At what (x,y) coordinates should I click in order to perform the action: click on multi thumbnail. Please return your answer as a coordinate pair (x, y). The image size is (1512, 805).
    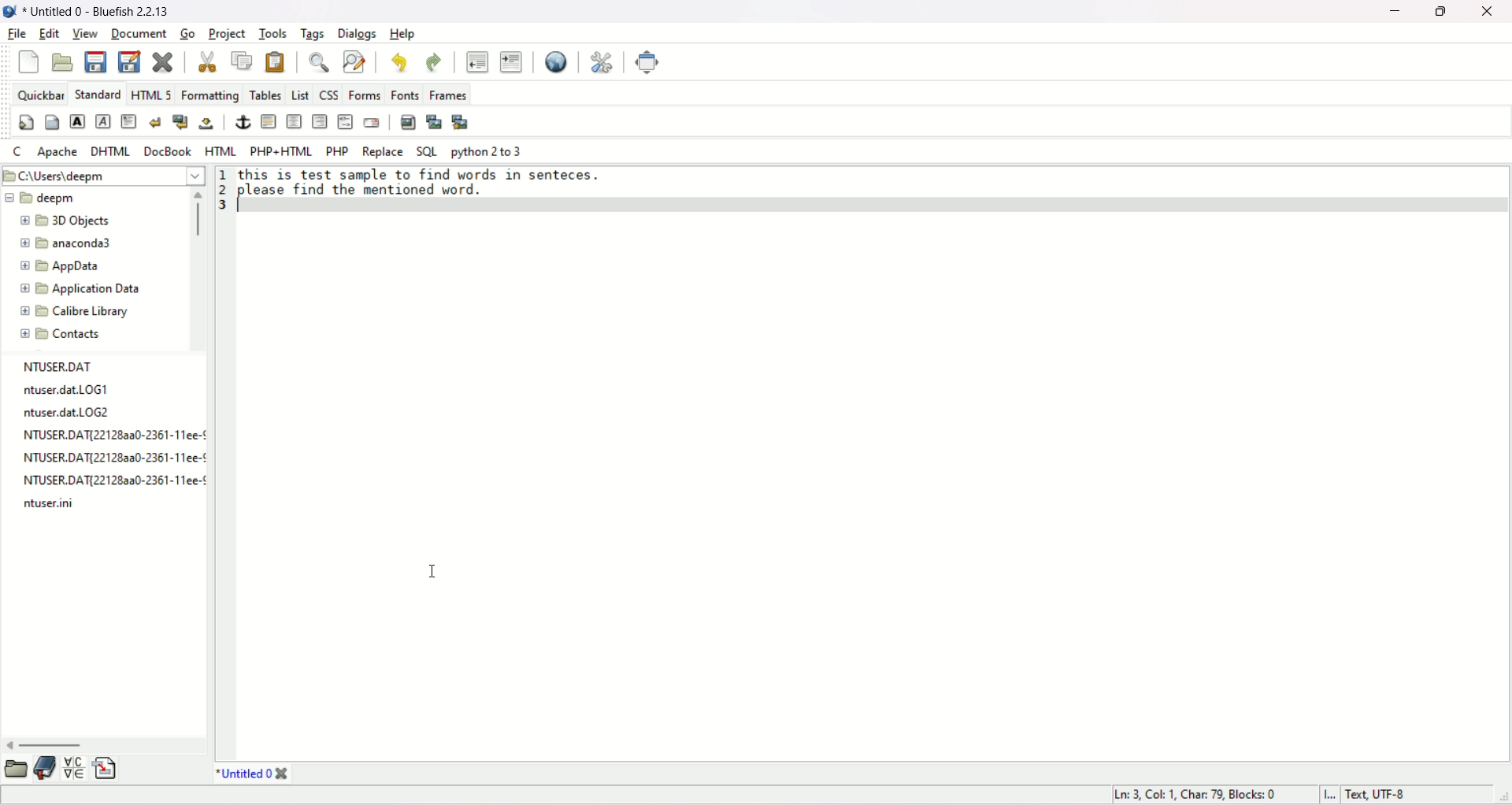
    Looking at the image, I should click on (460, 121).